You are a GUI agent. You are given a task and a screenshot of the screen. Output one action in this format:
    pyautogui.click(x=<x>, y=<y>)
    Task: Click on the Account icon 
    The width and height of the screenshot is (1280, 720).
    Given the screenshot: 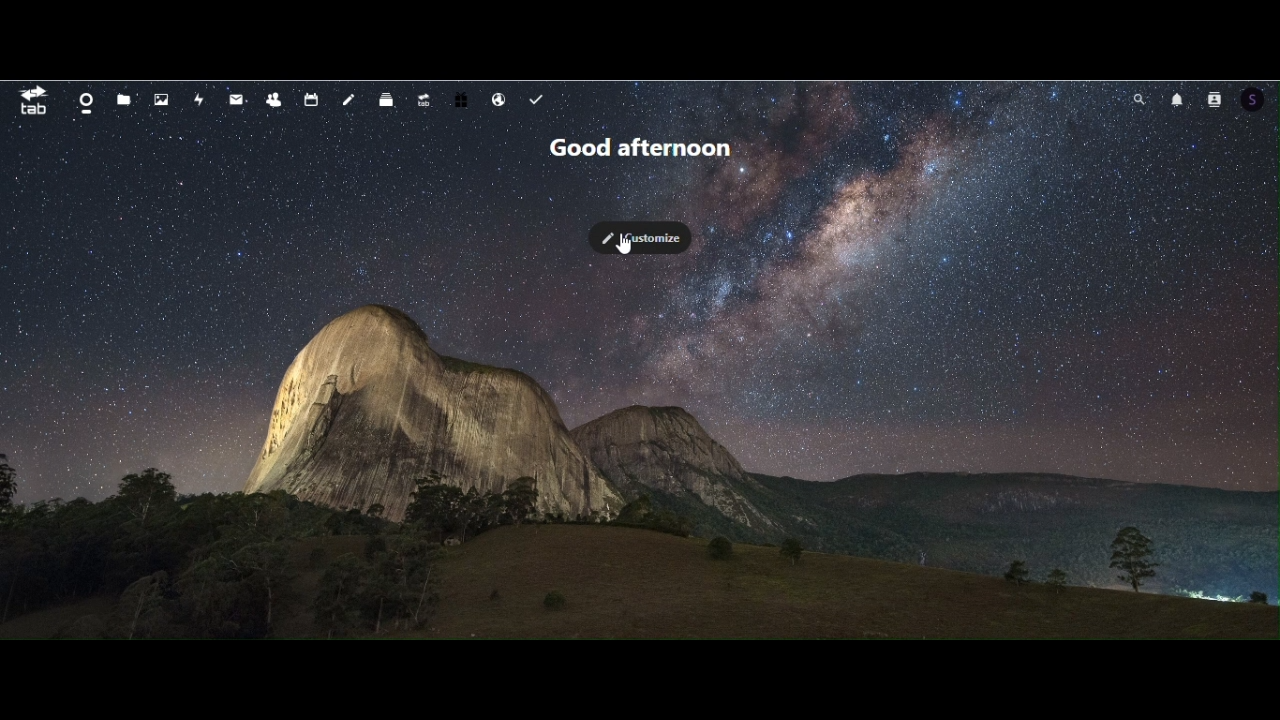 What is the action you would take?
    pyautogui.click(x=1260, y=102)
    